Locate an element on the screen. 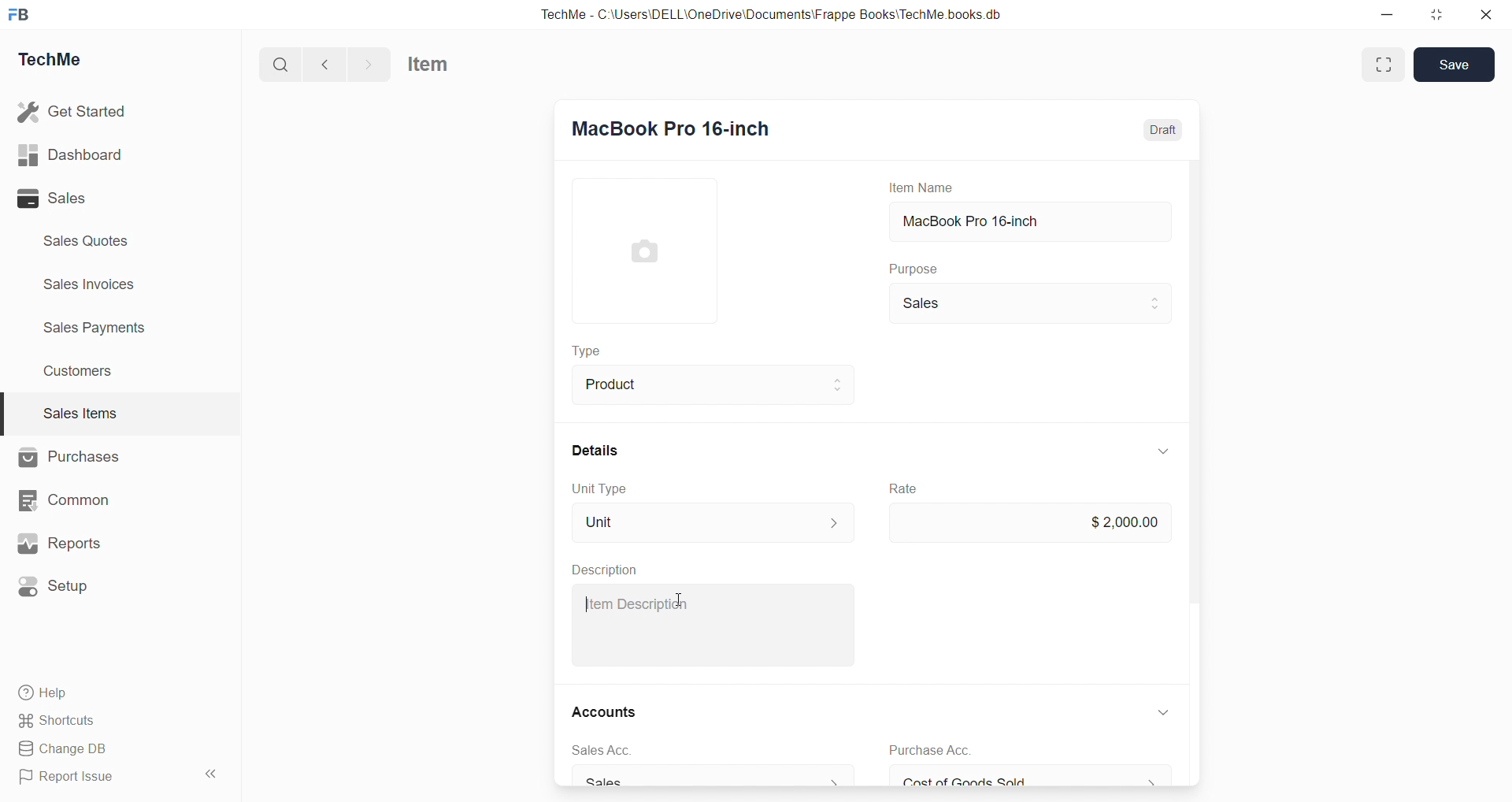  Shortcuts is located at coordinates (60, 721).